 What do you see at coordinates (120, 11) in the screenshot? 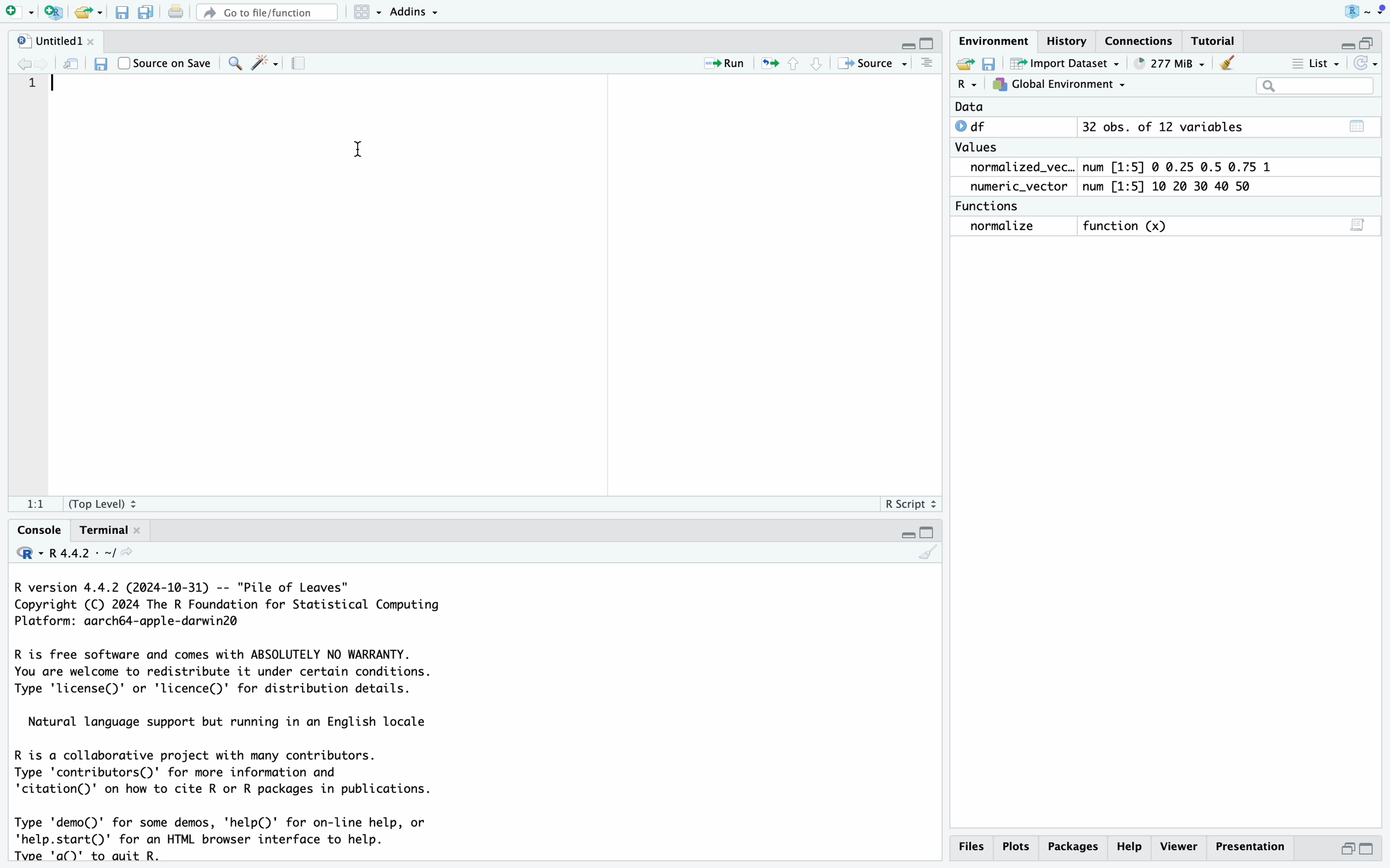
I see `save current file` at bounding box center [120, 11].